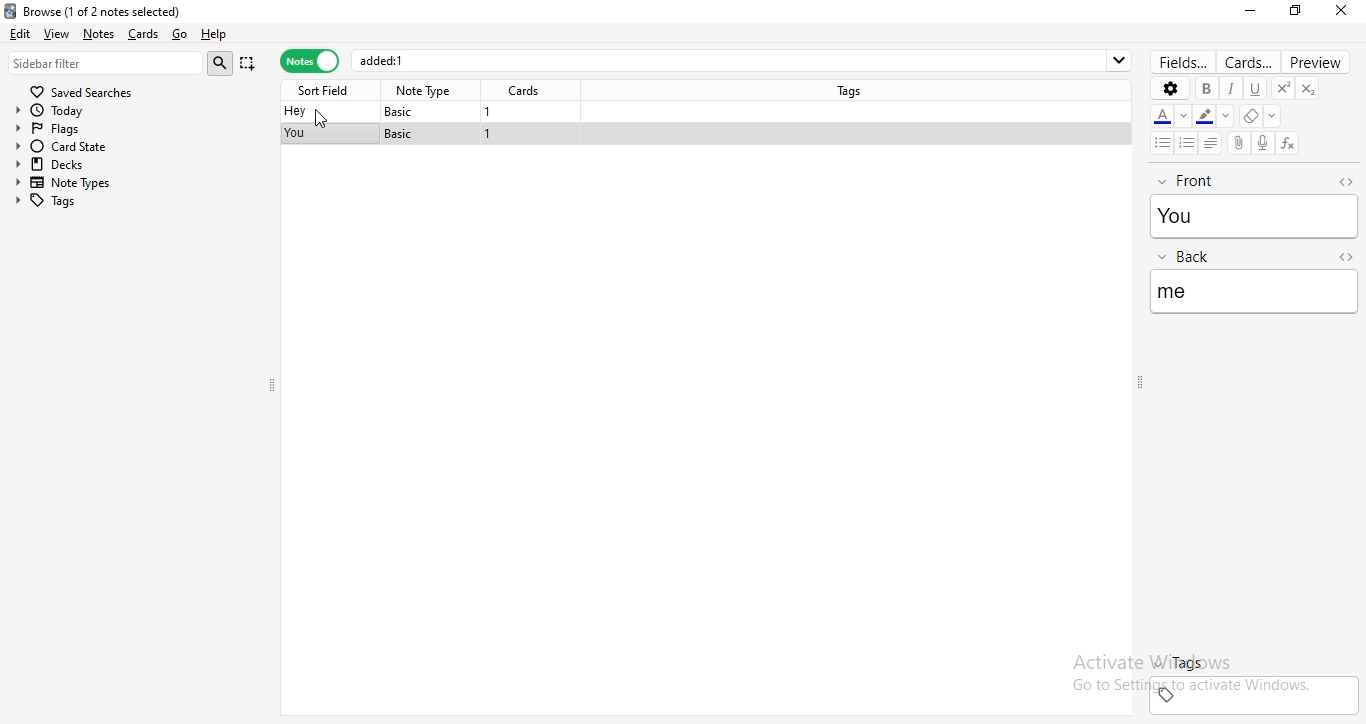 The height and width of the screenshot is (724, 1366). Describe the element at coordinates (1254, 292) in the screenshot. I see `me` at that location.